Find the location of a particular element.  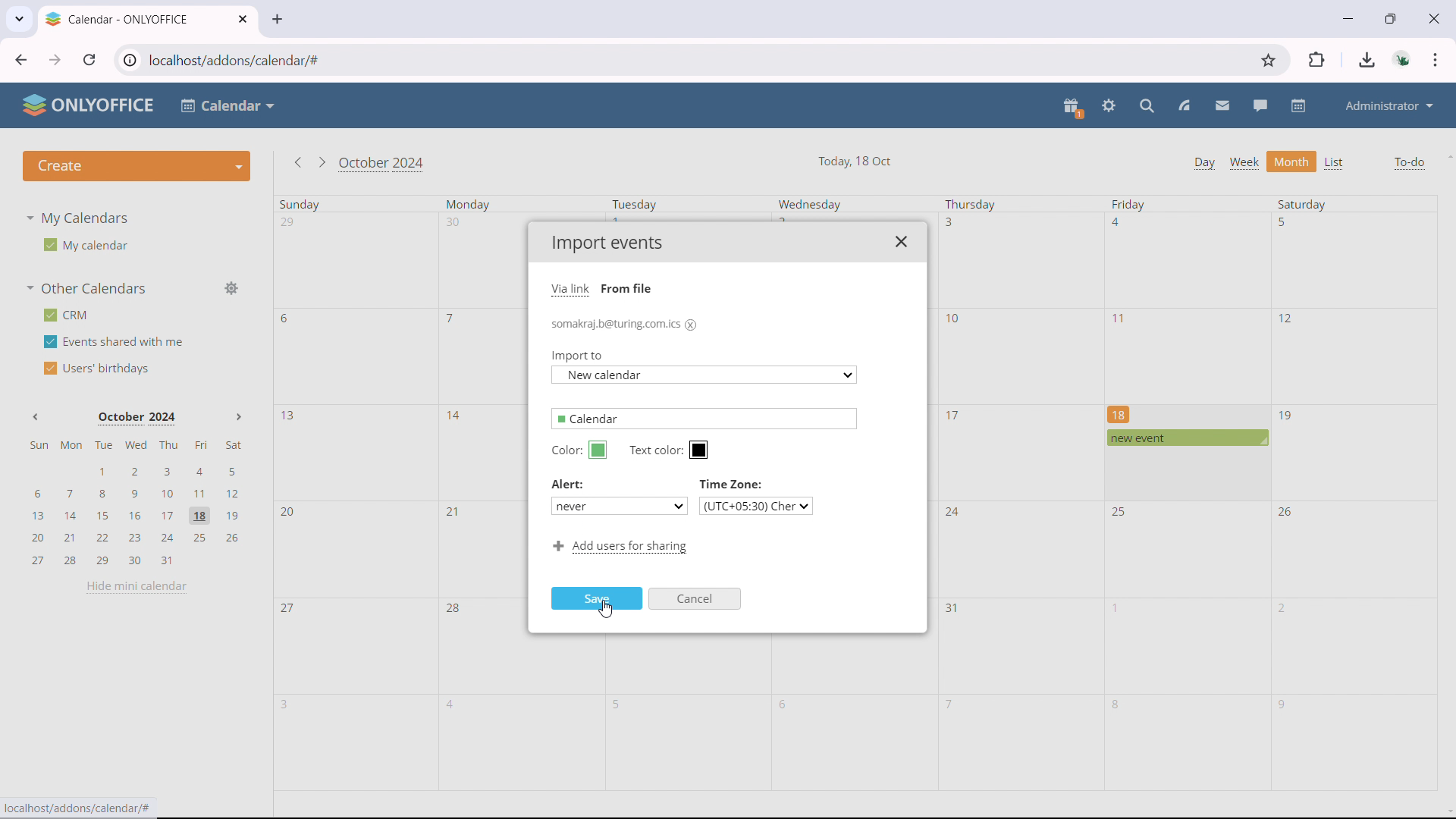

calendar is located at coordinates (1300, 105).